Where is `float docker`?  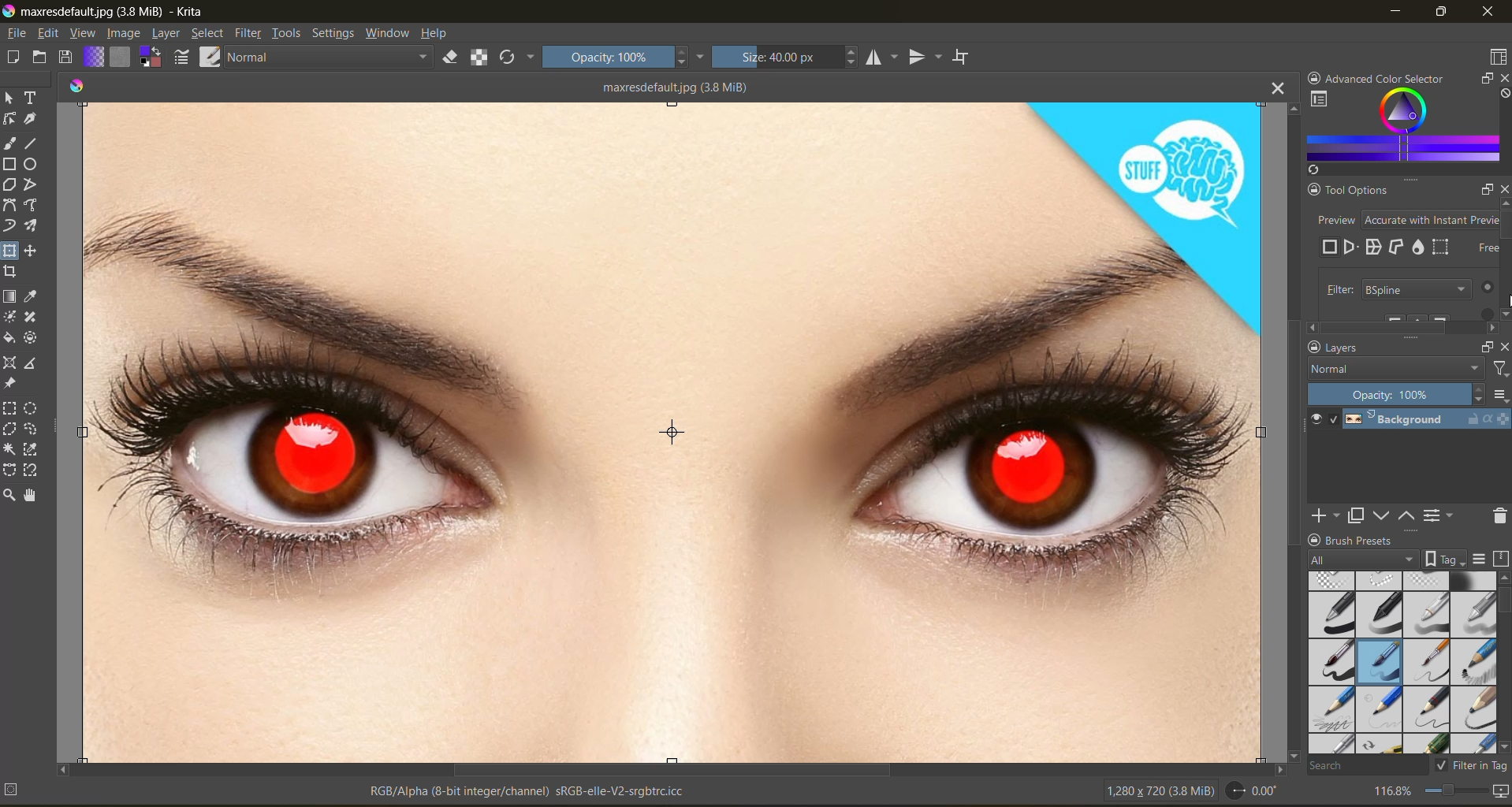
float docker is located at coordinates (1484, 192).